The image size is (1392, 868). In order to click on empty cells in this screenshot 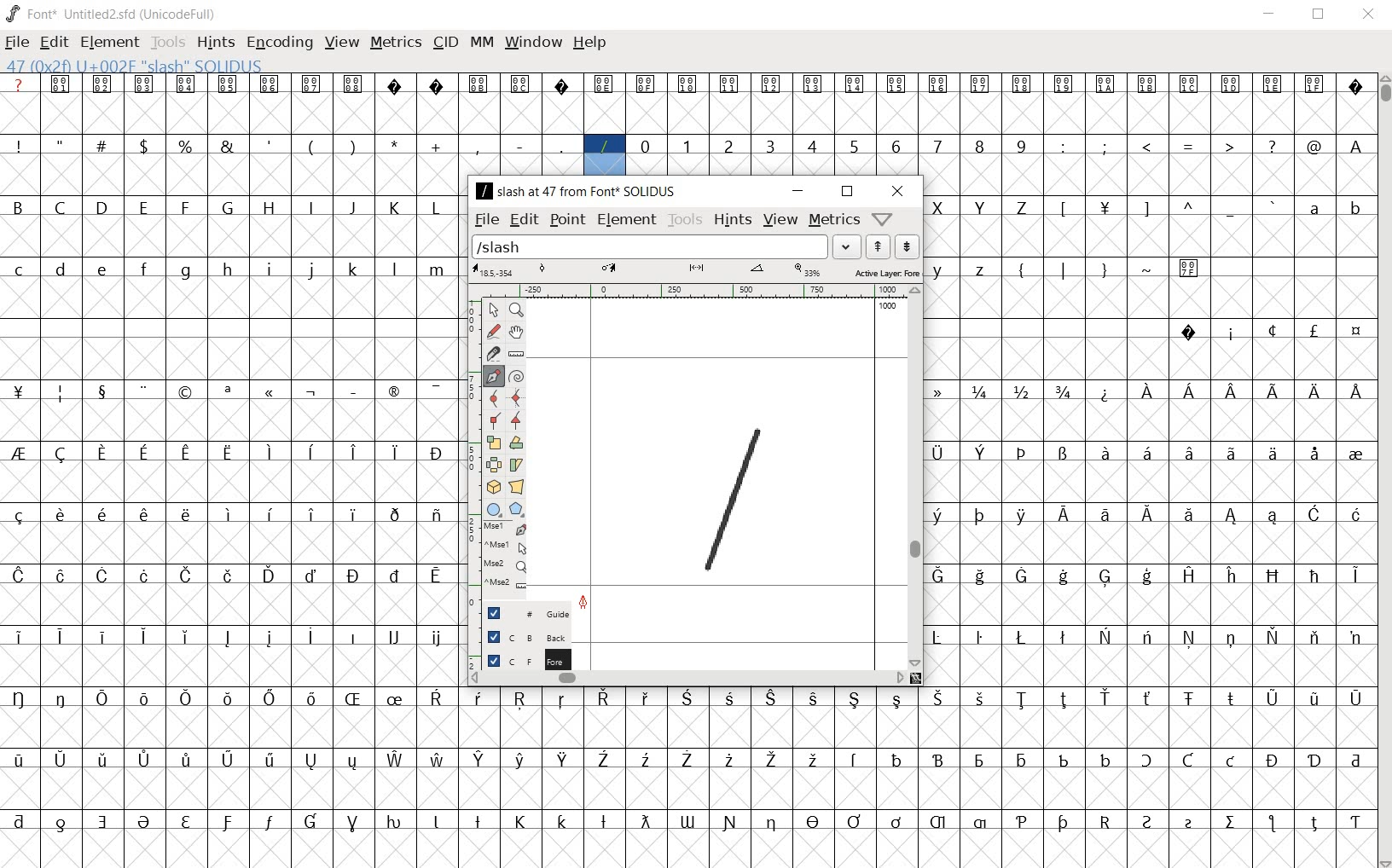, I will do `click(684, 726)`.